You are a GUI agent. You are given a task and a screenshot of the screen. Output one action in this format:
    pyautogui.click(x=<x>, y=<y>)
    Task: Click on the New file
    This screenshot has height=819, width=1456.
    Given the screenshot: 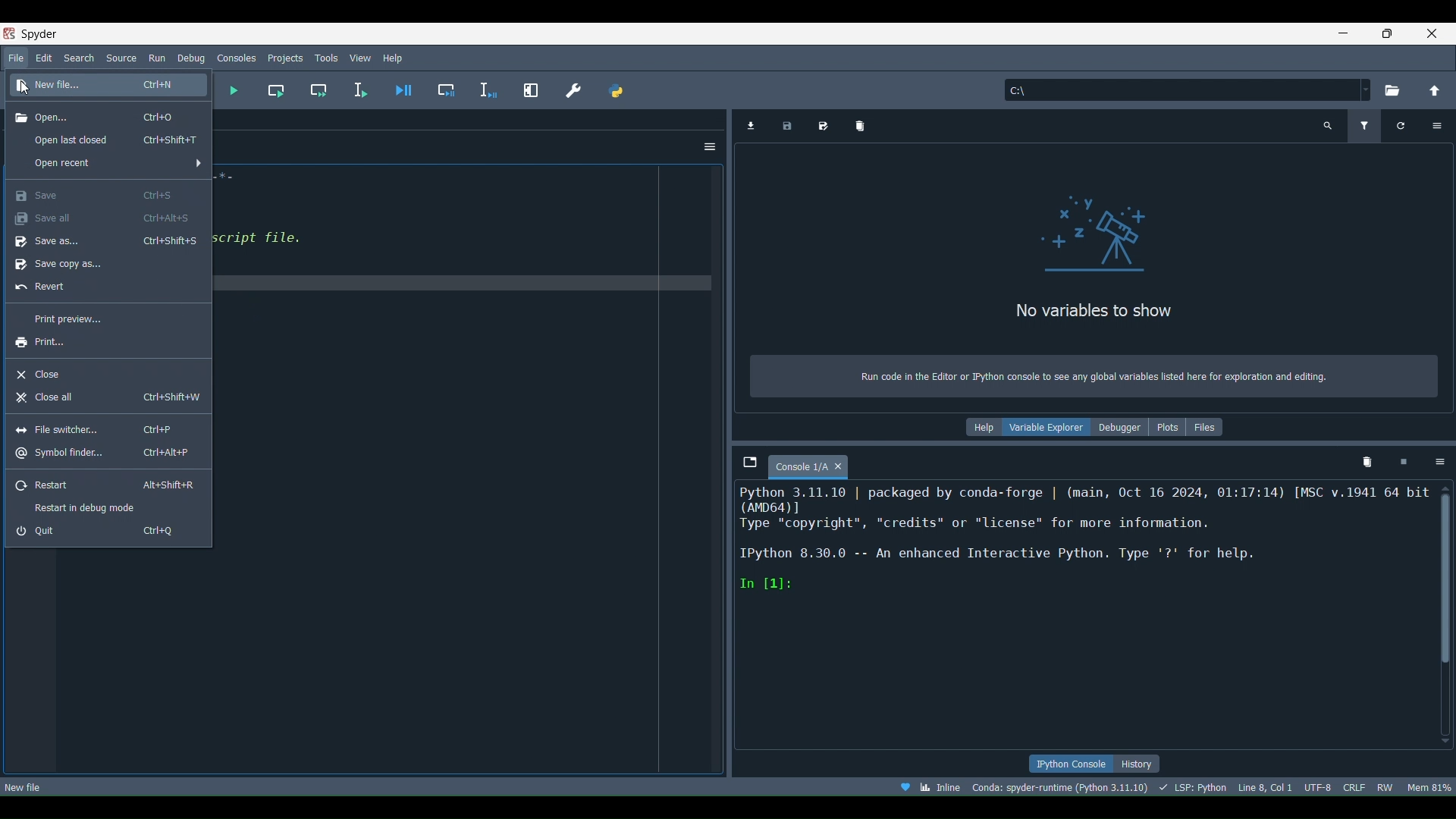 What is the action you would take?
    pyautogui.click(x=102, y=86)
    